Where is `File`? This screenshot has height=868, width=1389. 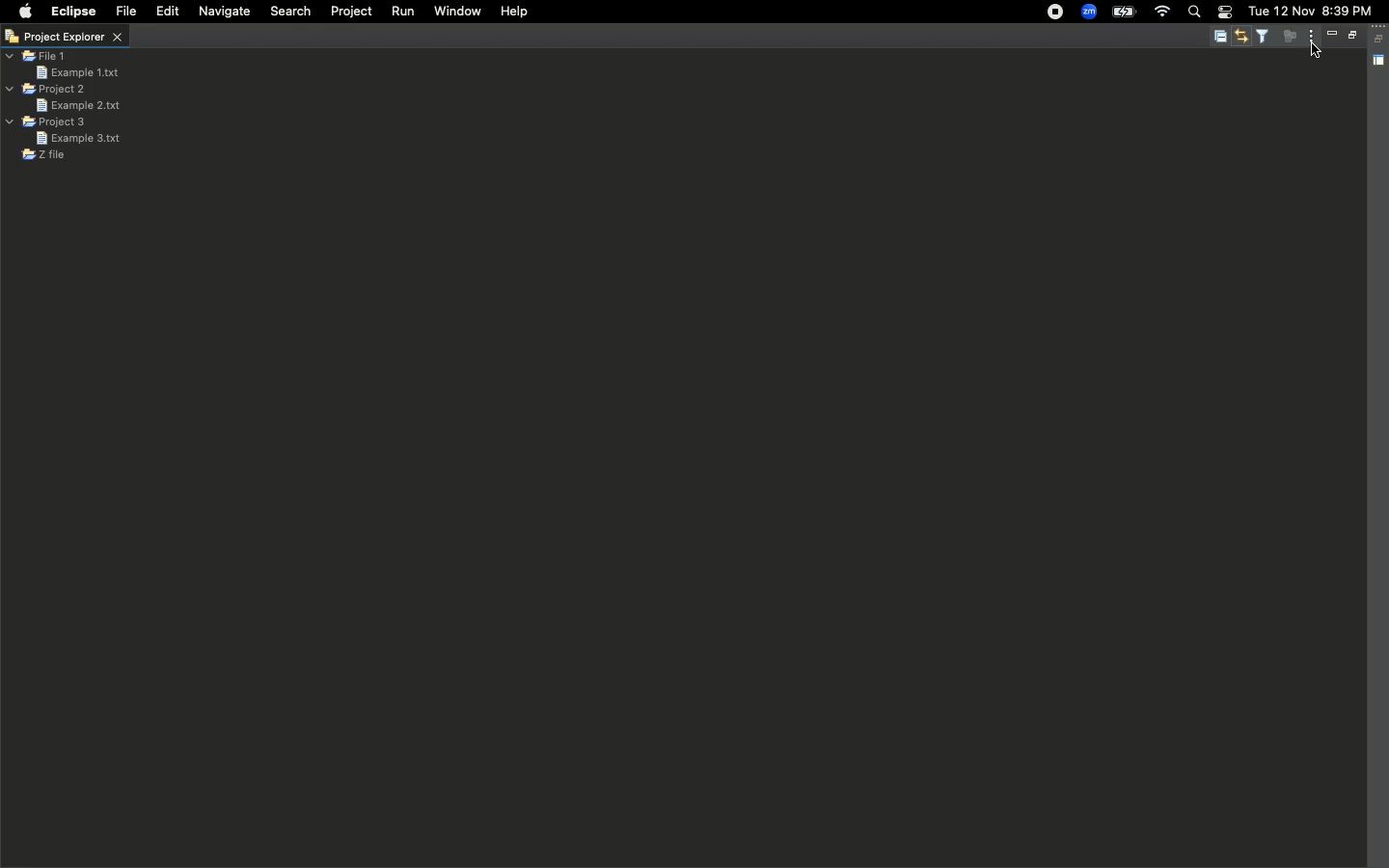
File is located at coordinates (126, 12).